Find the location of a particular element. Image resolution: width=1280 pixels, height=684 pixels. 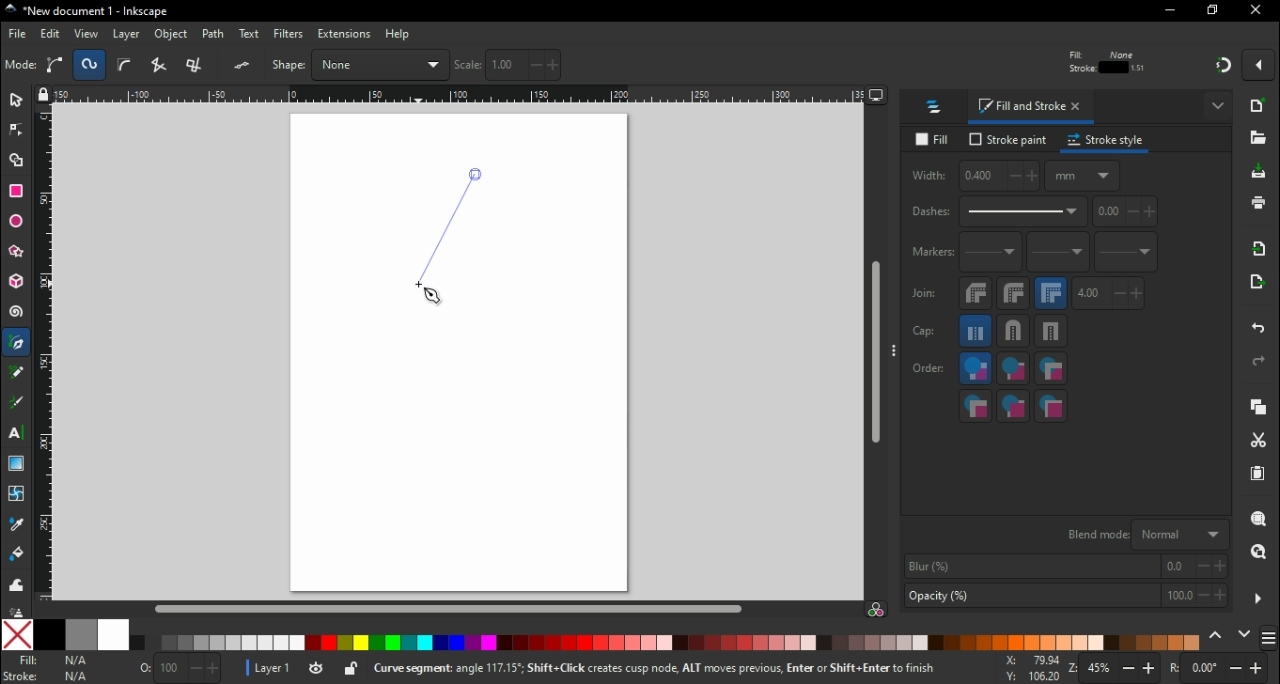

opacity is located at coordinates (179, 666).